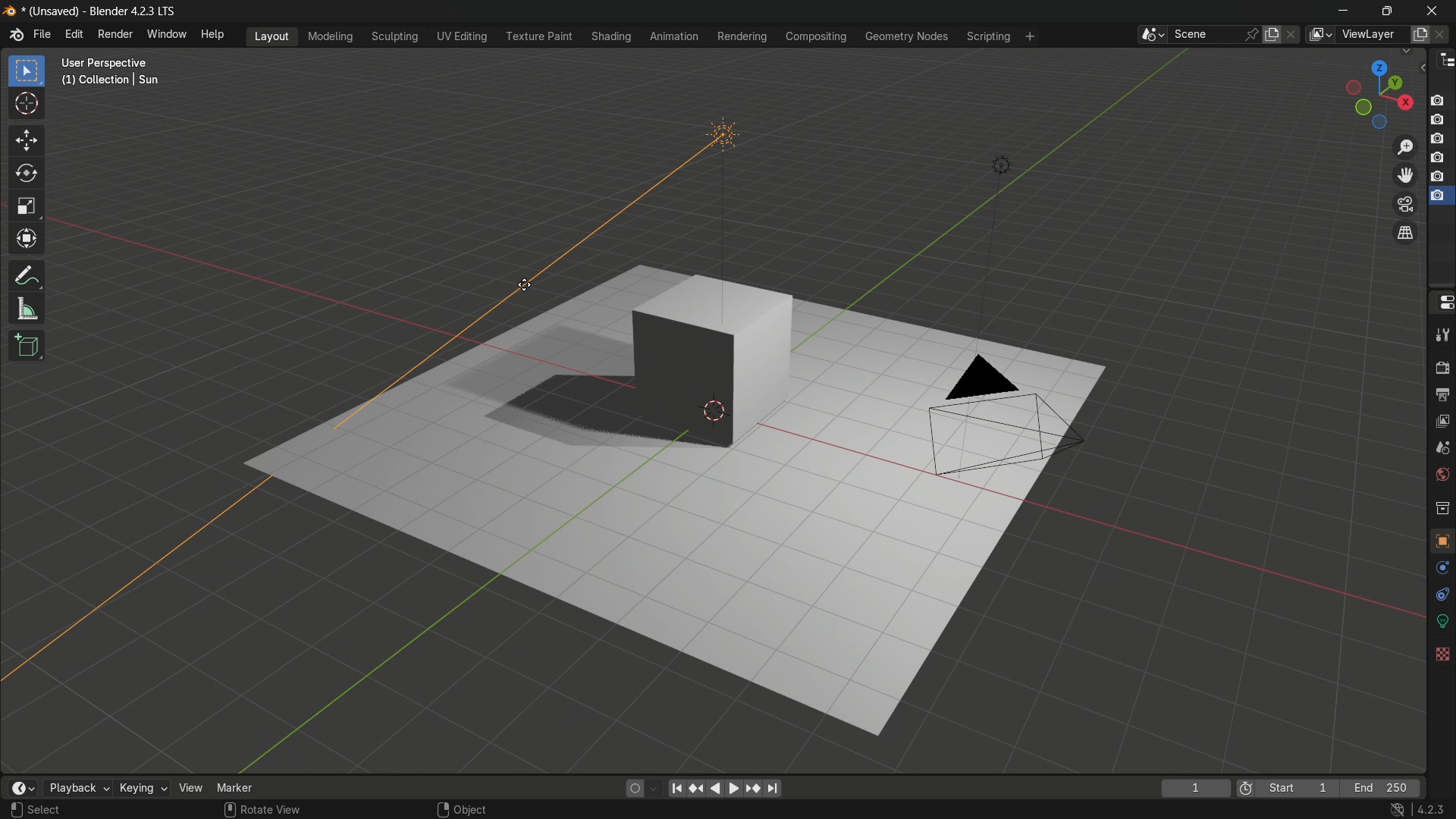 Image resolution: width=1456 pixels, height=819 pixels. I want to click on layer 1, so click(1438, 100).